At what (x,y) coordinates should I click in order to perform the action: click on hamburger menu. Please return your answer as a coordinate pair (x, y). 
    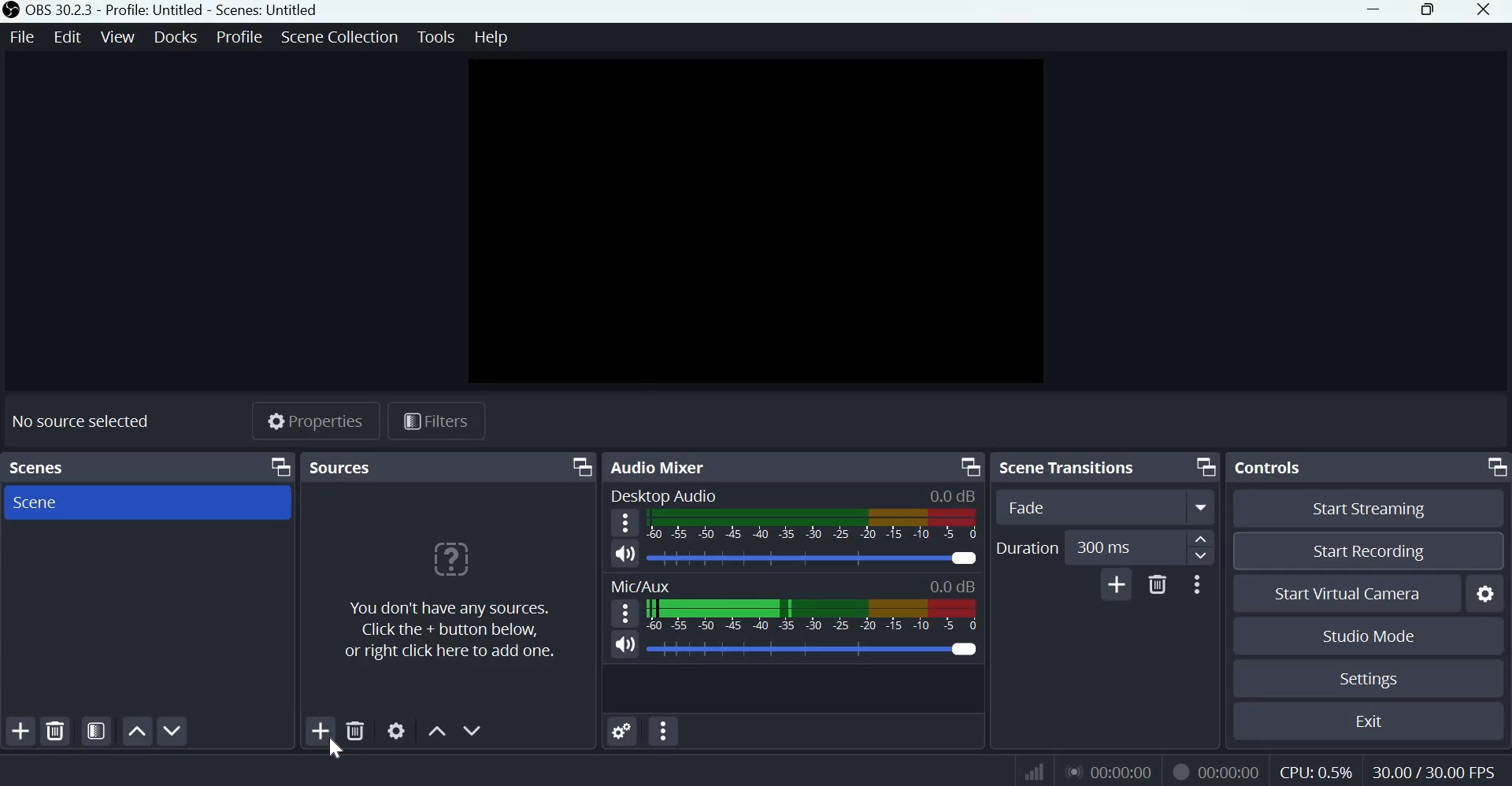
    Looking at the image, I should click on (625, 523).